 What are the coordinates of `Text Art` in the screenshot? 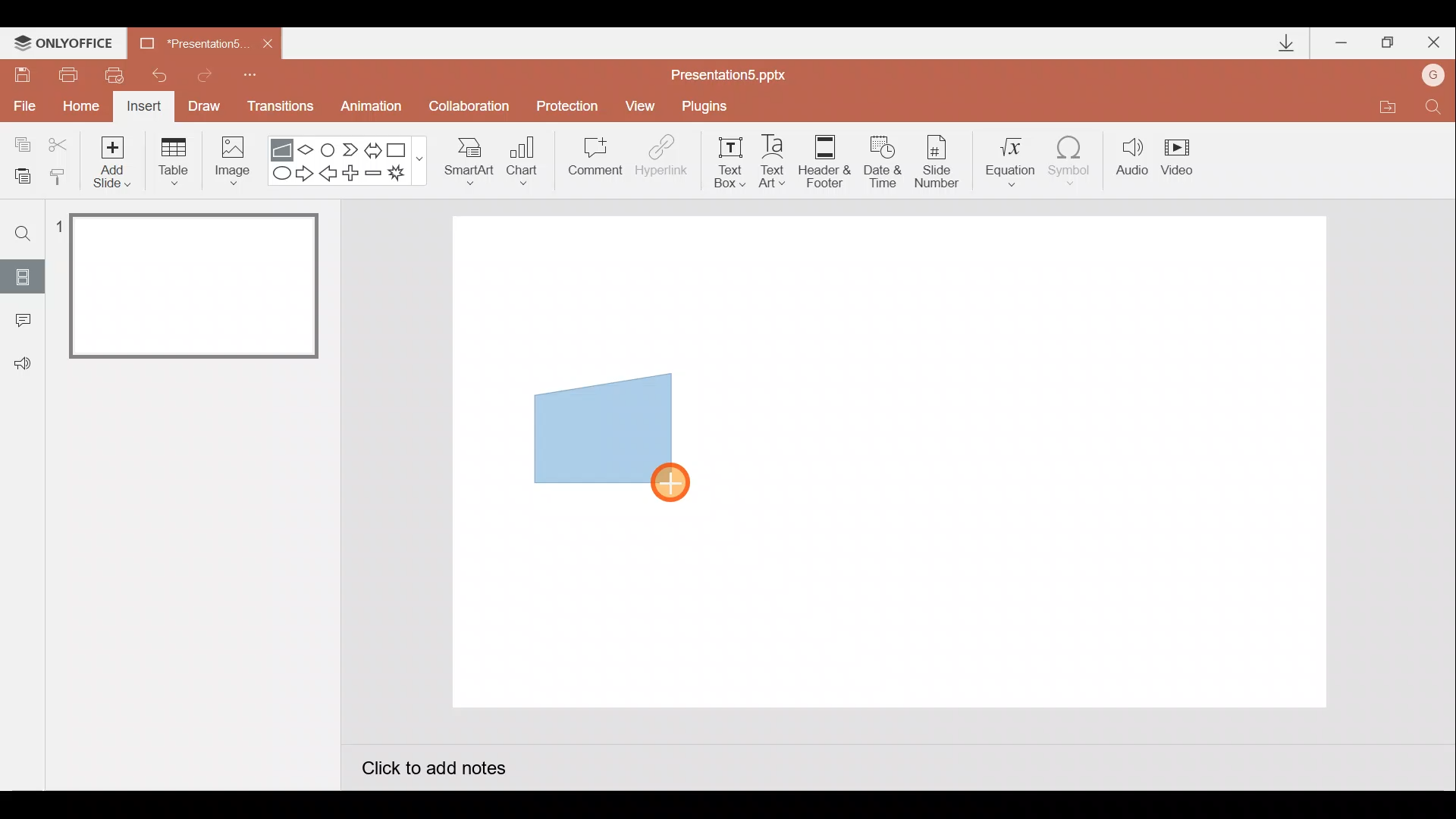 It's located at (777, 161).